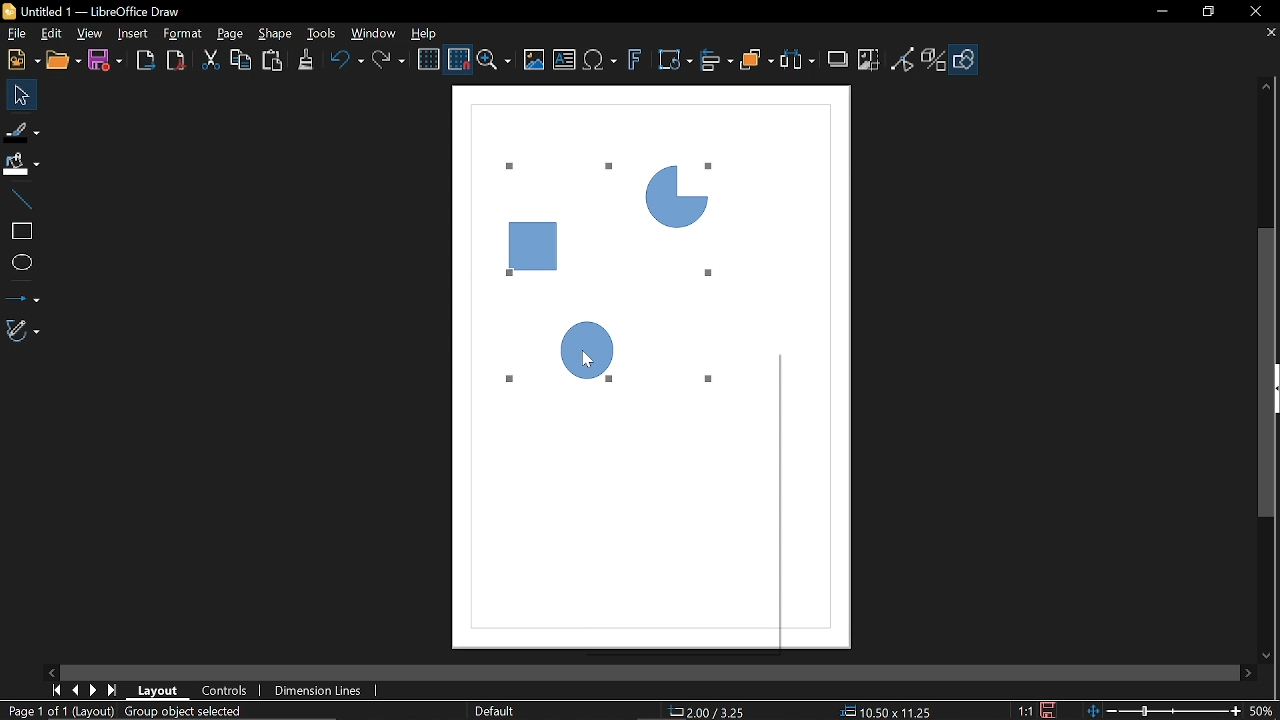  I want to click on Curves and polygons, so click(22, 331).